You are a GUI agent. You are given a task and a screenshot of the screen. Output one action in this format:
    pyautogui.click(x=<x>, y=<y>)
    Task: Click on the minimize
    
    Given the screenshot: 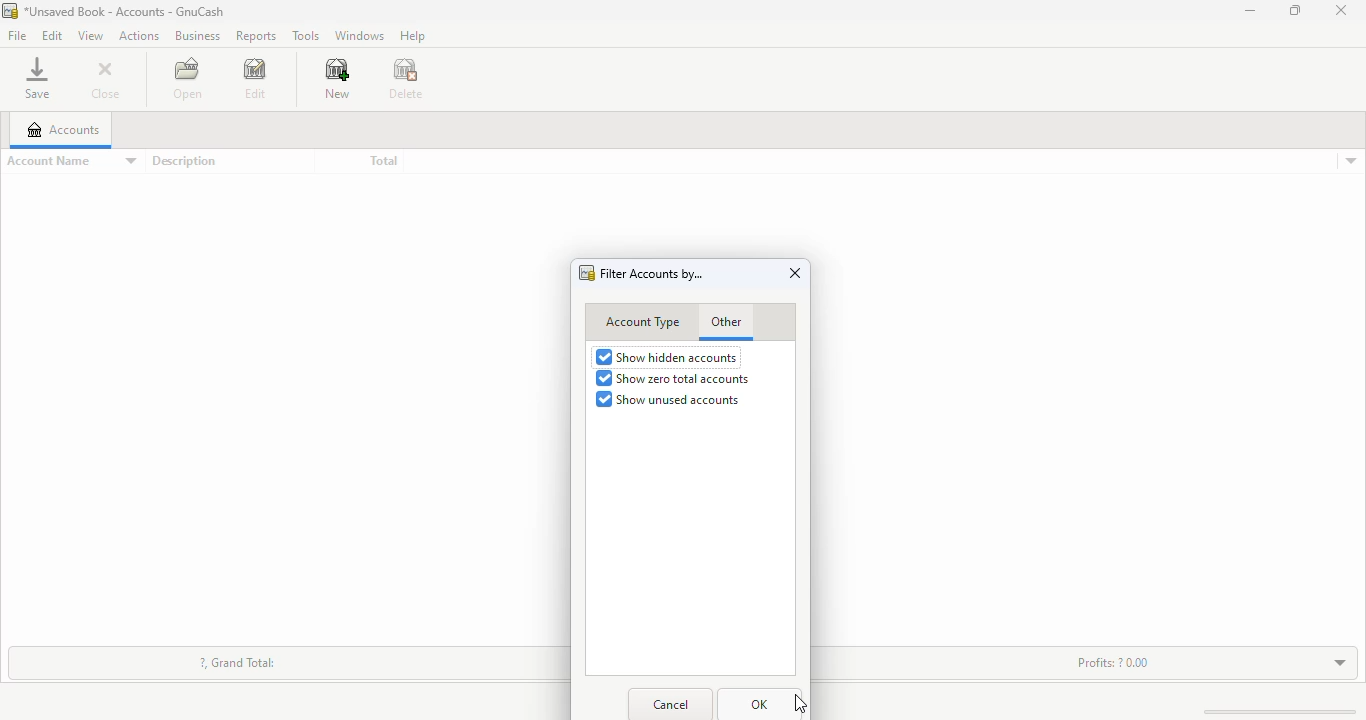 What is the action you would take?
    pyautogui.click(x=1250, y=10)
    